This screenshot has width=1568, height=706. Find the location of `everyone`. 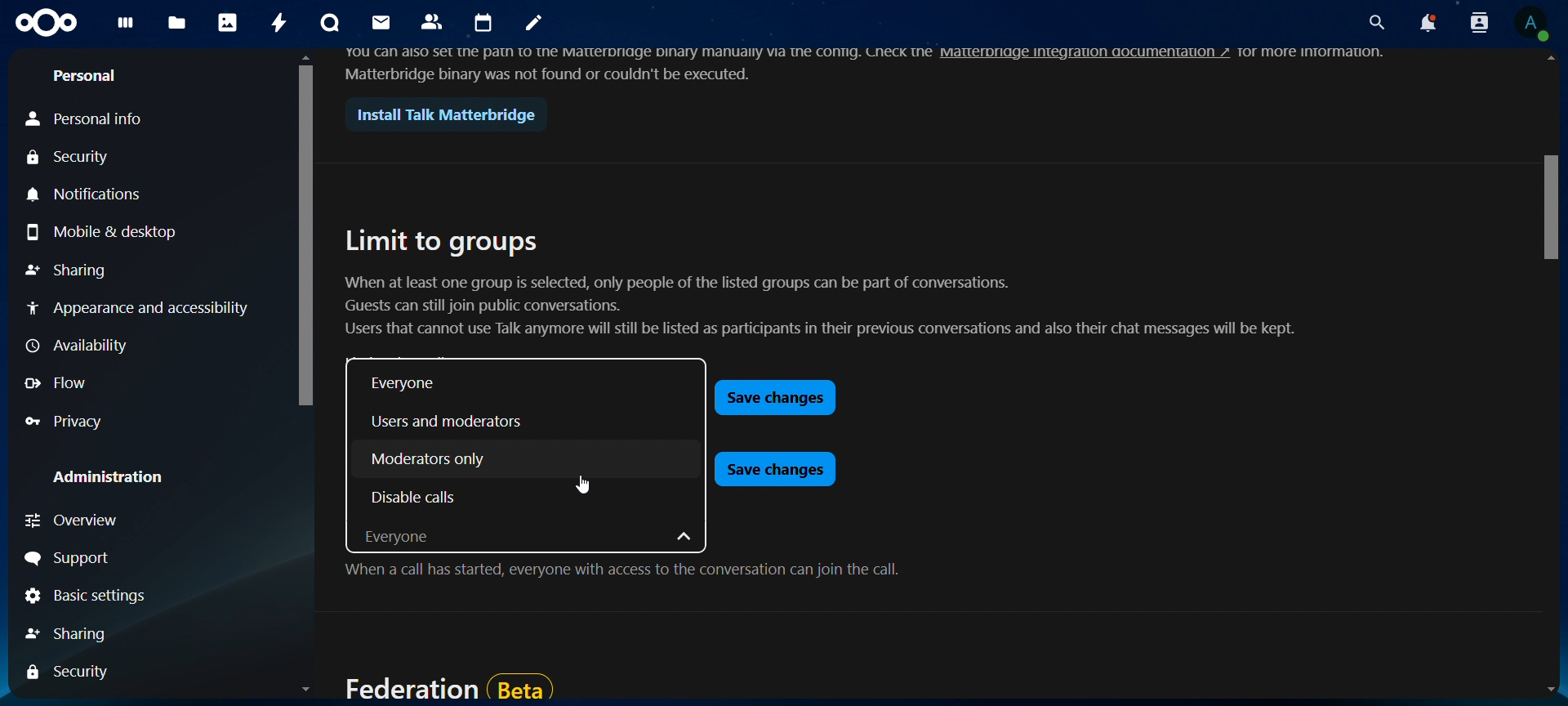

everyone is located at coordinates (529, 541).